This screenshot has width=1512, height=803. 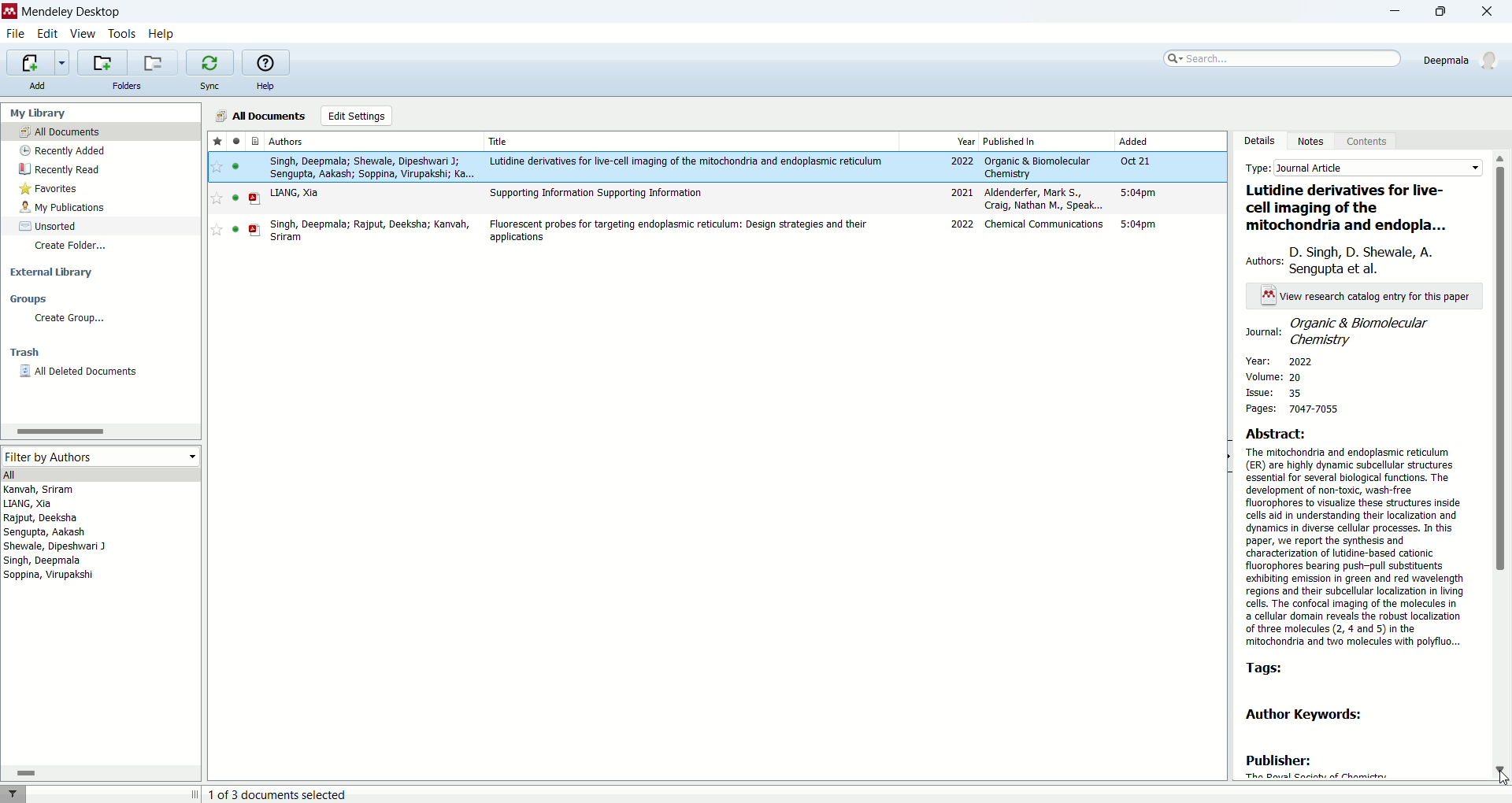 What do you see at coordinates (287, 141) in the screenshot?
I see `authors` at bounding box center [287, 141].